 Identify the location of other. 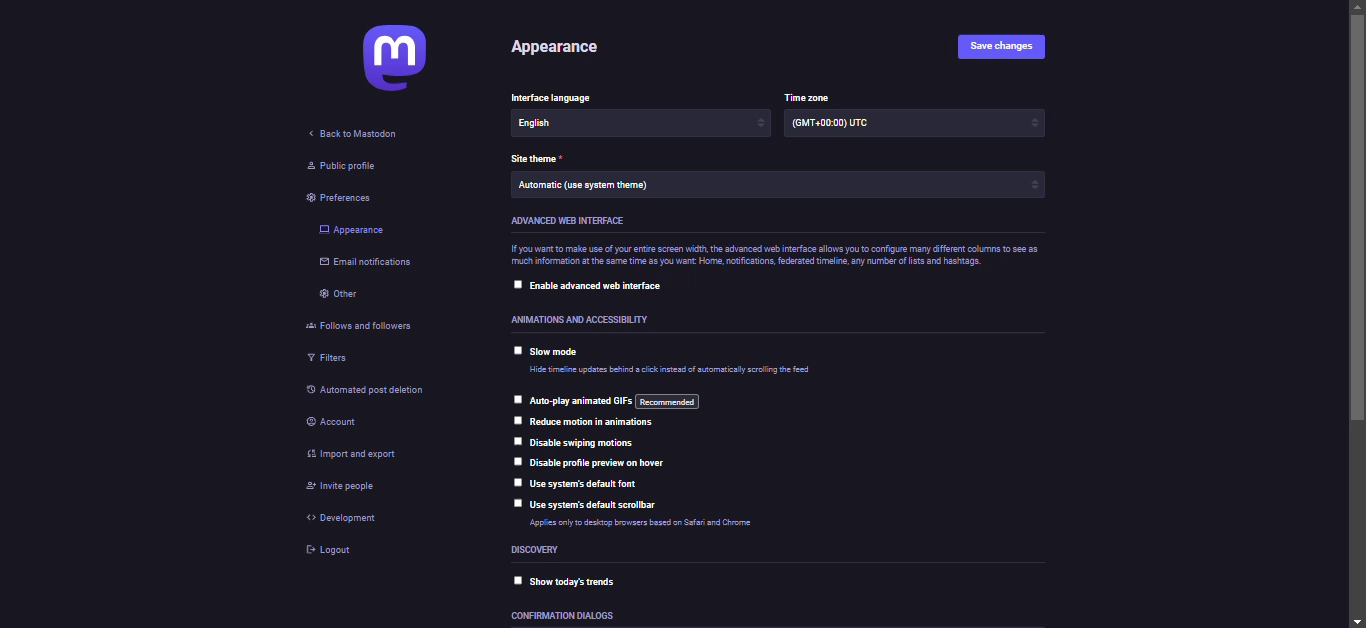
(342, 294).